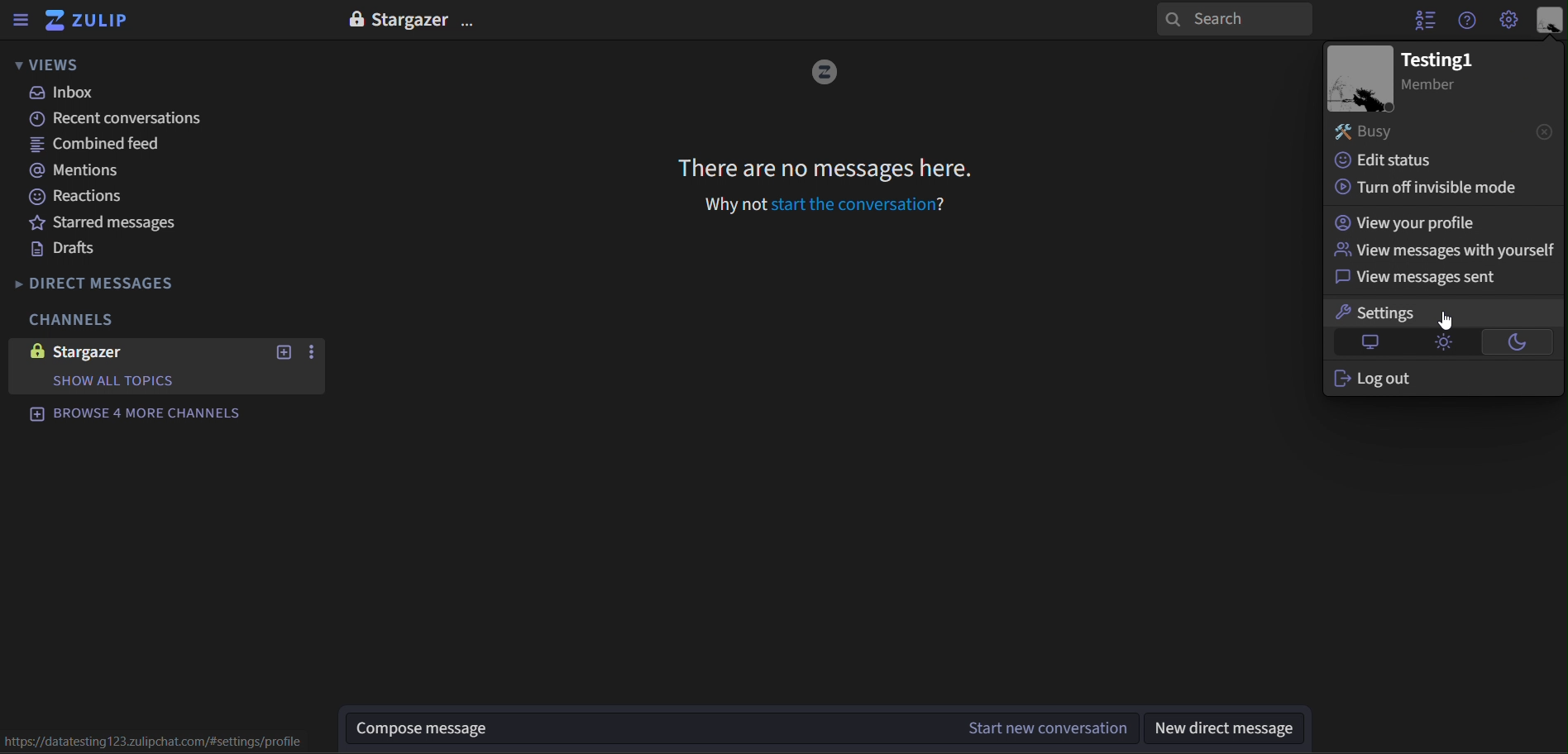 The image size is (1568, 754). What do you see at coordinates (1394, 160) in the screenshot?
I see `edit status` at bounding box center [1394, 160].